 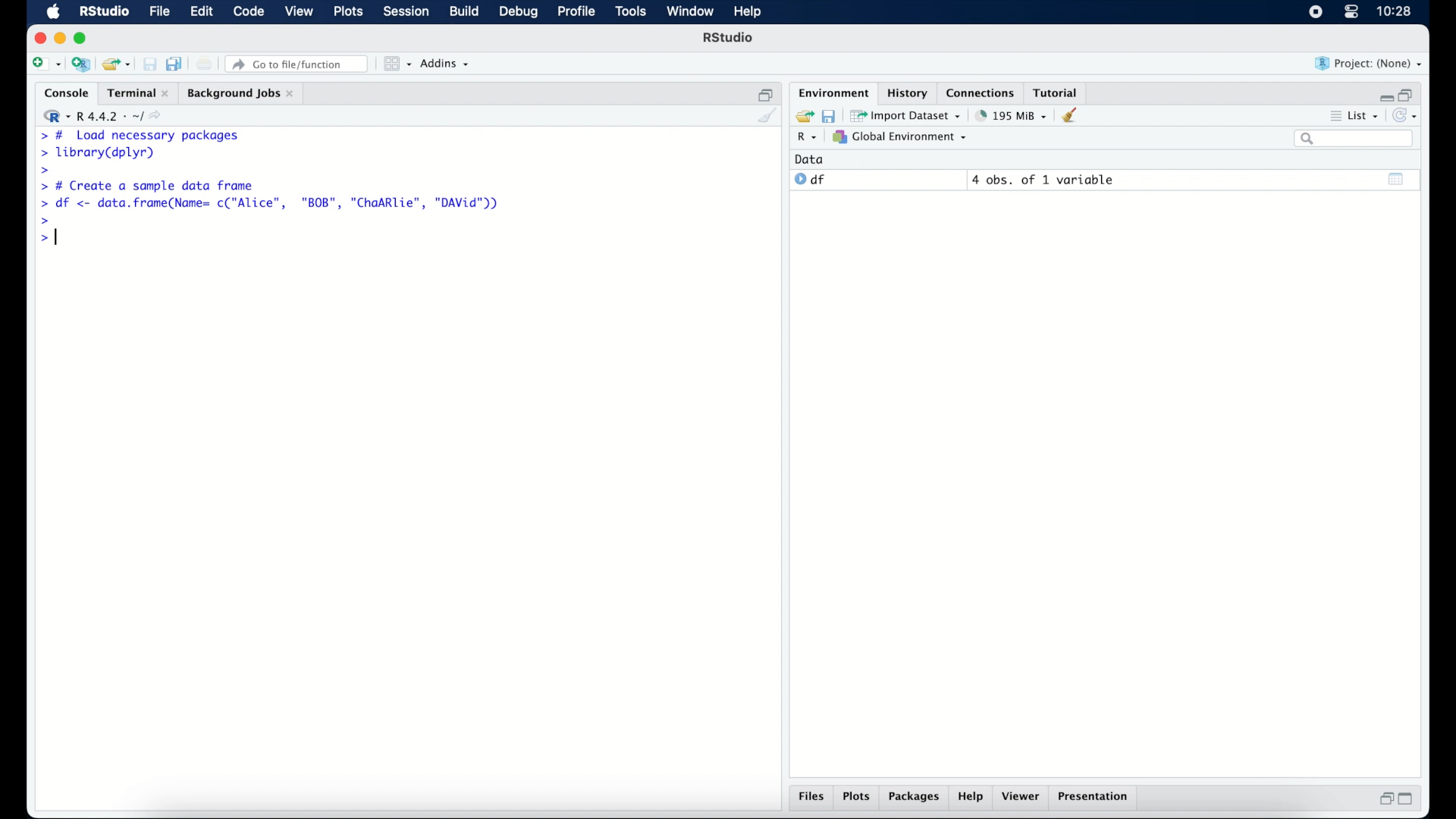 I want to click on restore down, so click(x=1409, y=93).